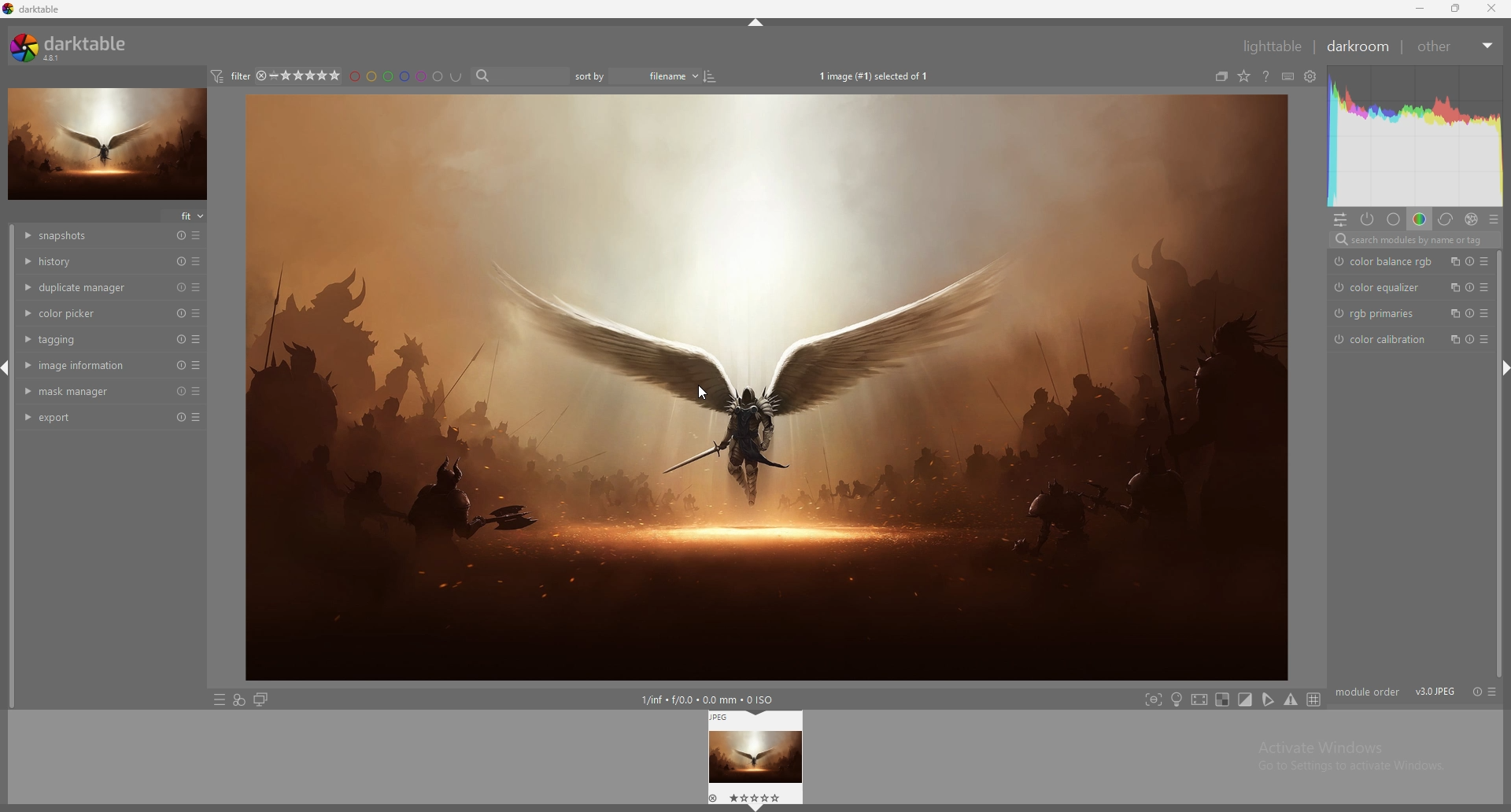 The width and height of the screenshot is (1511, 812). I want to click on search bar, so click(519, 76).